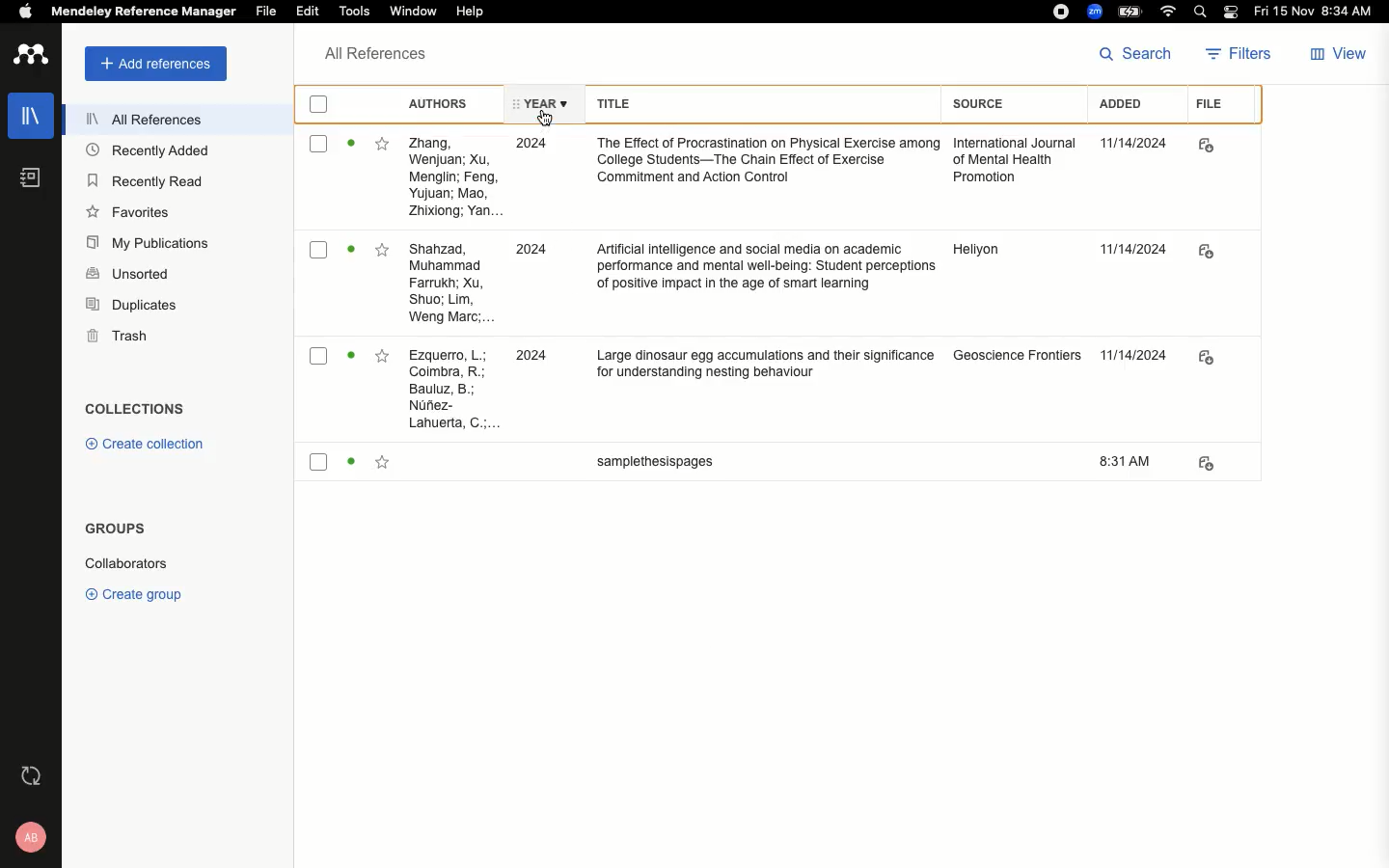 This screenshot has height=868, width=1389. I want to click on Edit, so click(308, 11).